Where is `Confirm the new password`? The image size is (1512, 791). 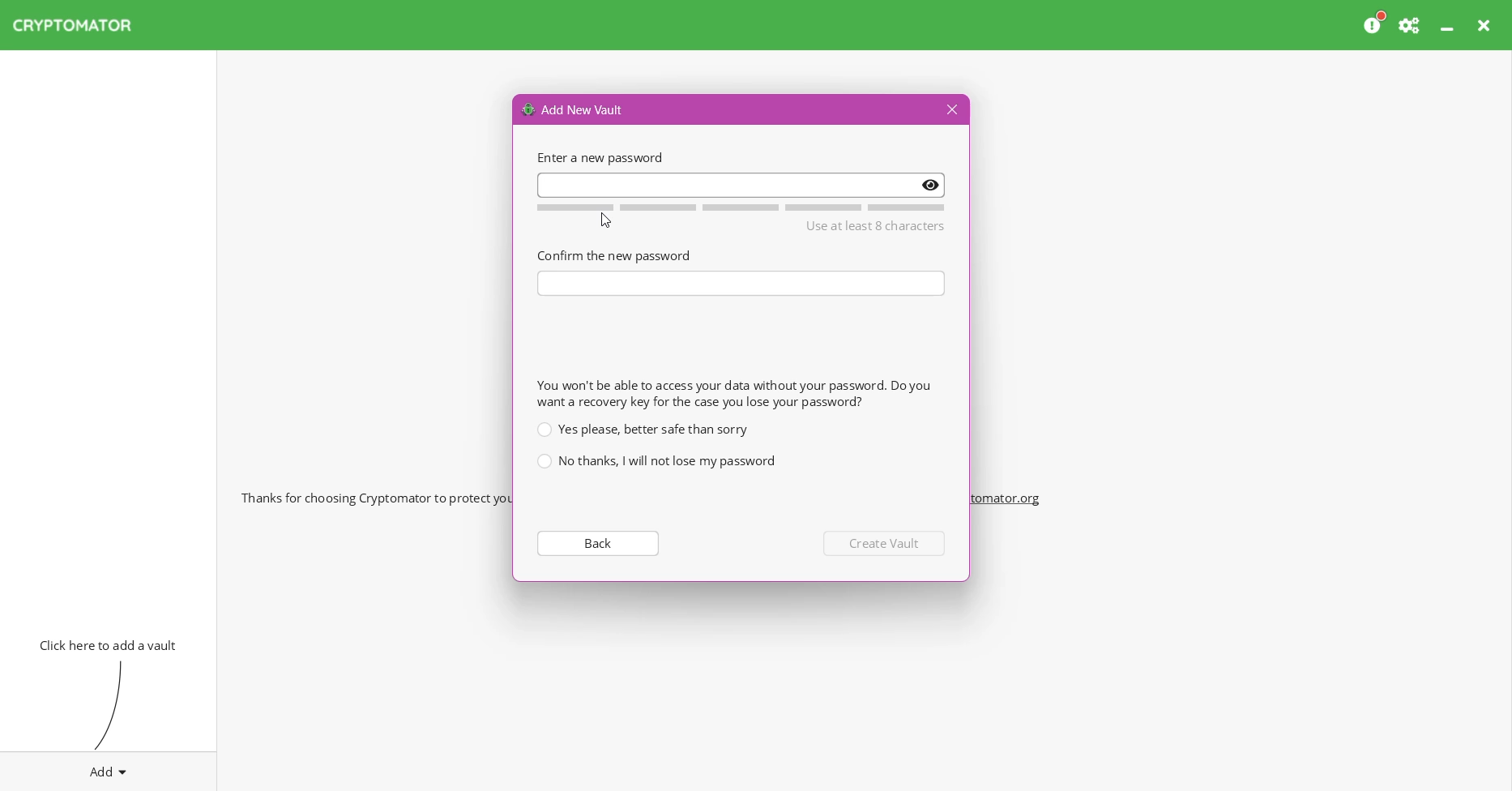 Confirm the new password is located at coordinates (742, 284).